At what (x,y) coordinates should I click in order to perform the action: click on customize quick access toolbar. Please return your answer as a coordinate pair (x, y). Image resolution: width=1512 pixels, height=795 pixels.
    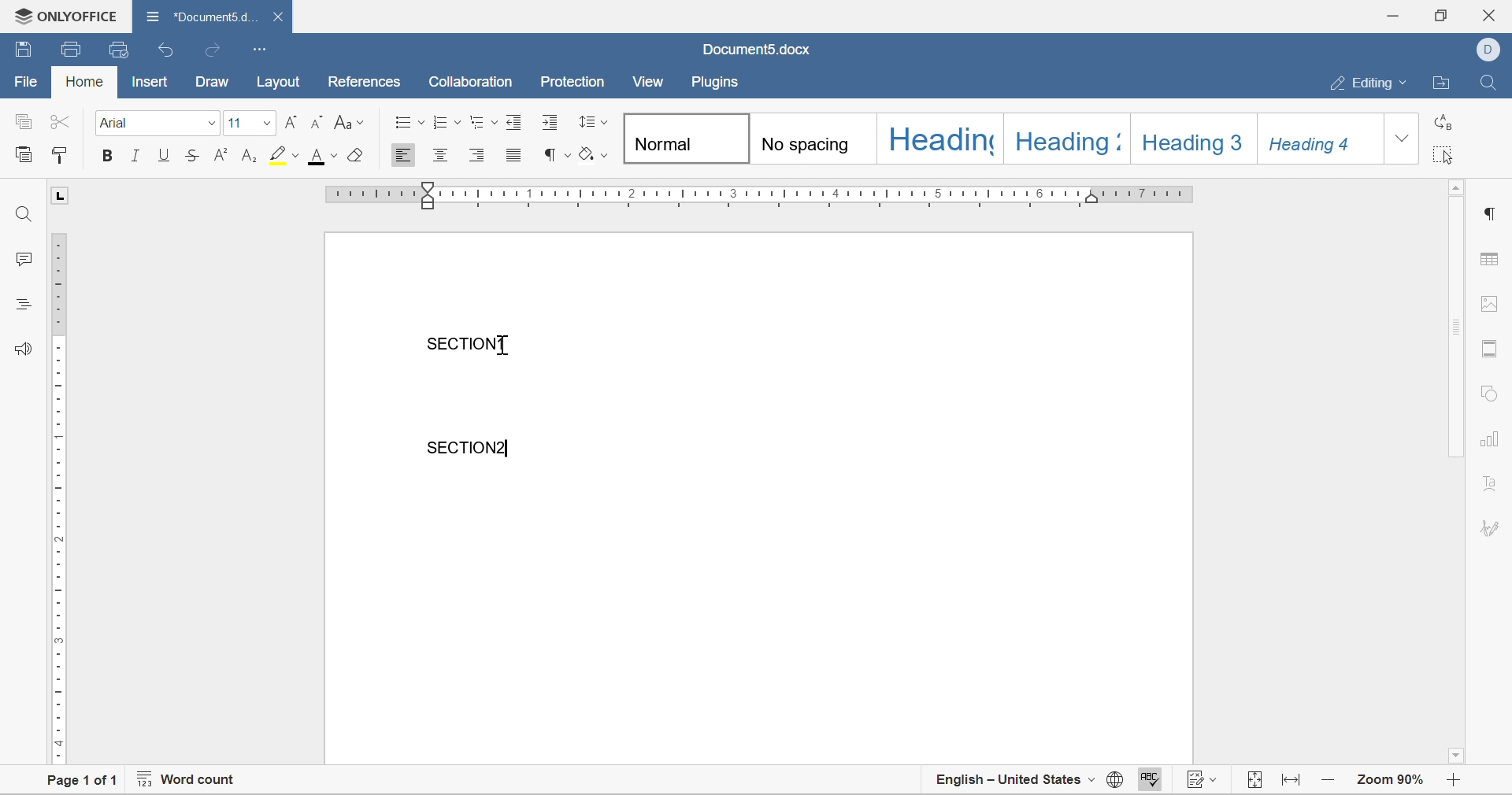
    Looking at the image, I should click on (261, 48).